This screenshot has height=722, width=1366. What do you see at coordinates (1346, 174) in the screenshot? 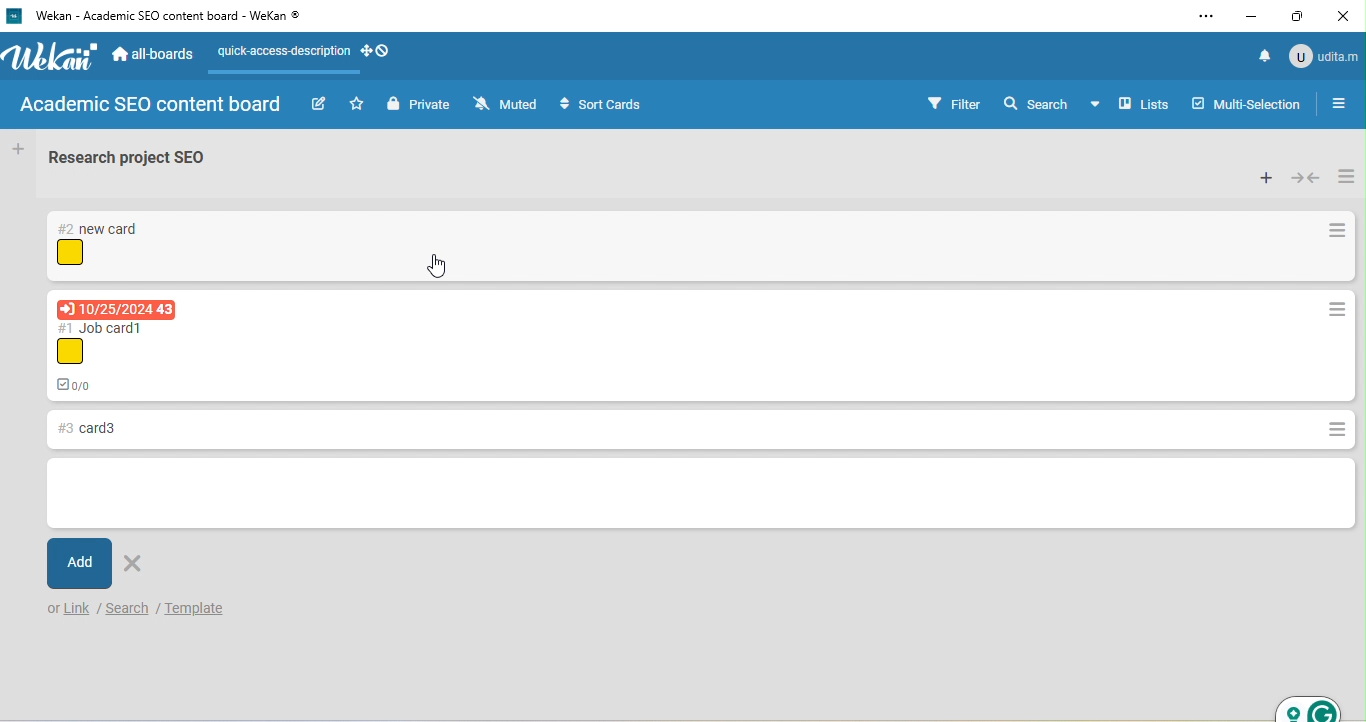
I see `list actions` at bounding box center [1346, 174].